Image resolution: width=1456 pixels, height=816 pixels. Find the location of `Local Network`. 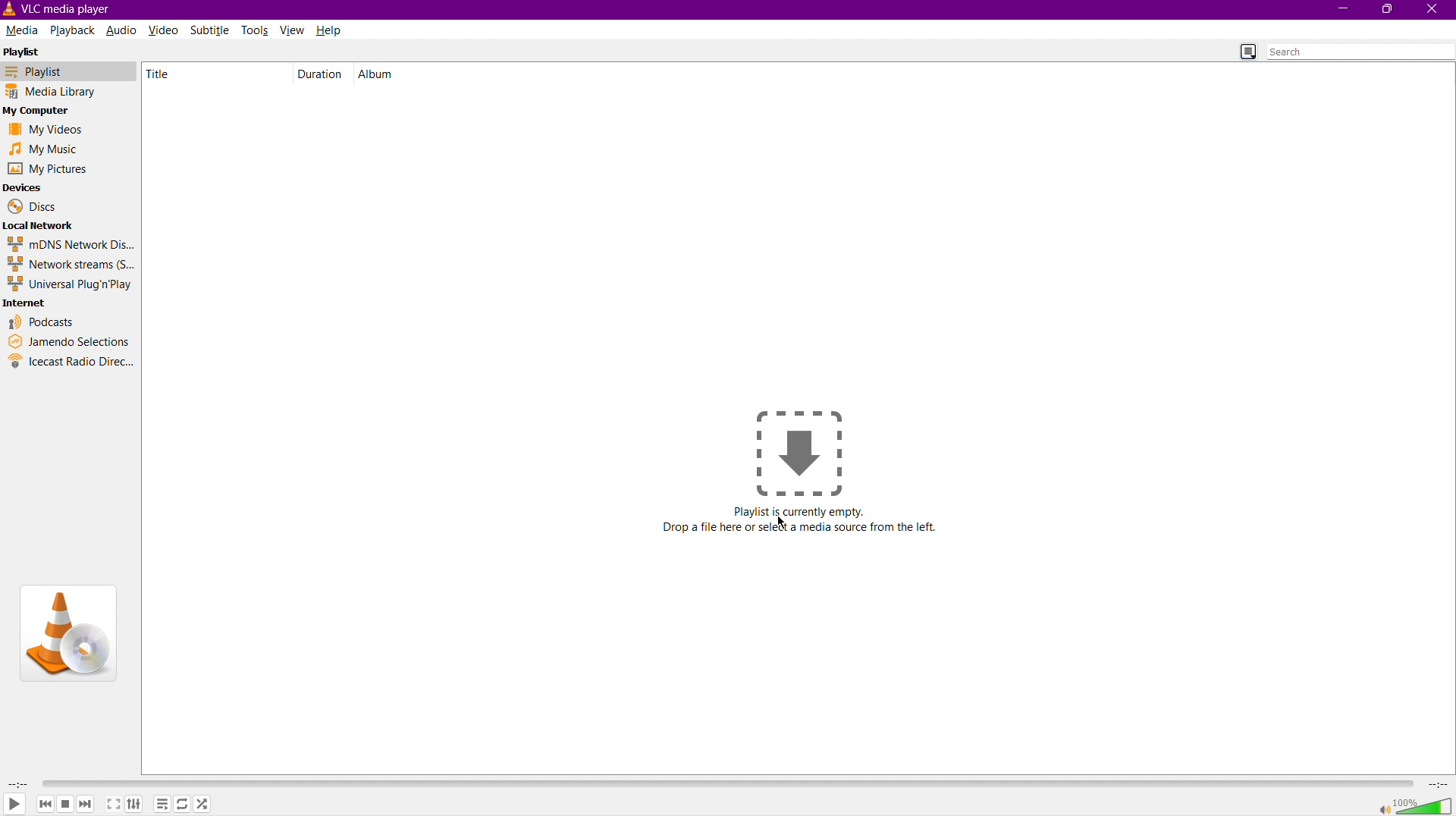

Local Network is located at coordinates (40, 225).